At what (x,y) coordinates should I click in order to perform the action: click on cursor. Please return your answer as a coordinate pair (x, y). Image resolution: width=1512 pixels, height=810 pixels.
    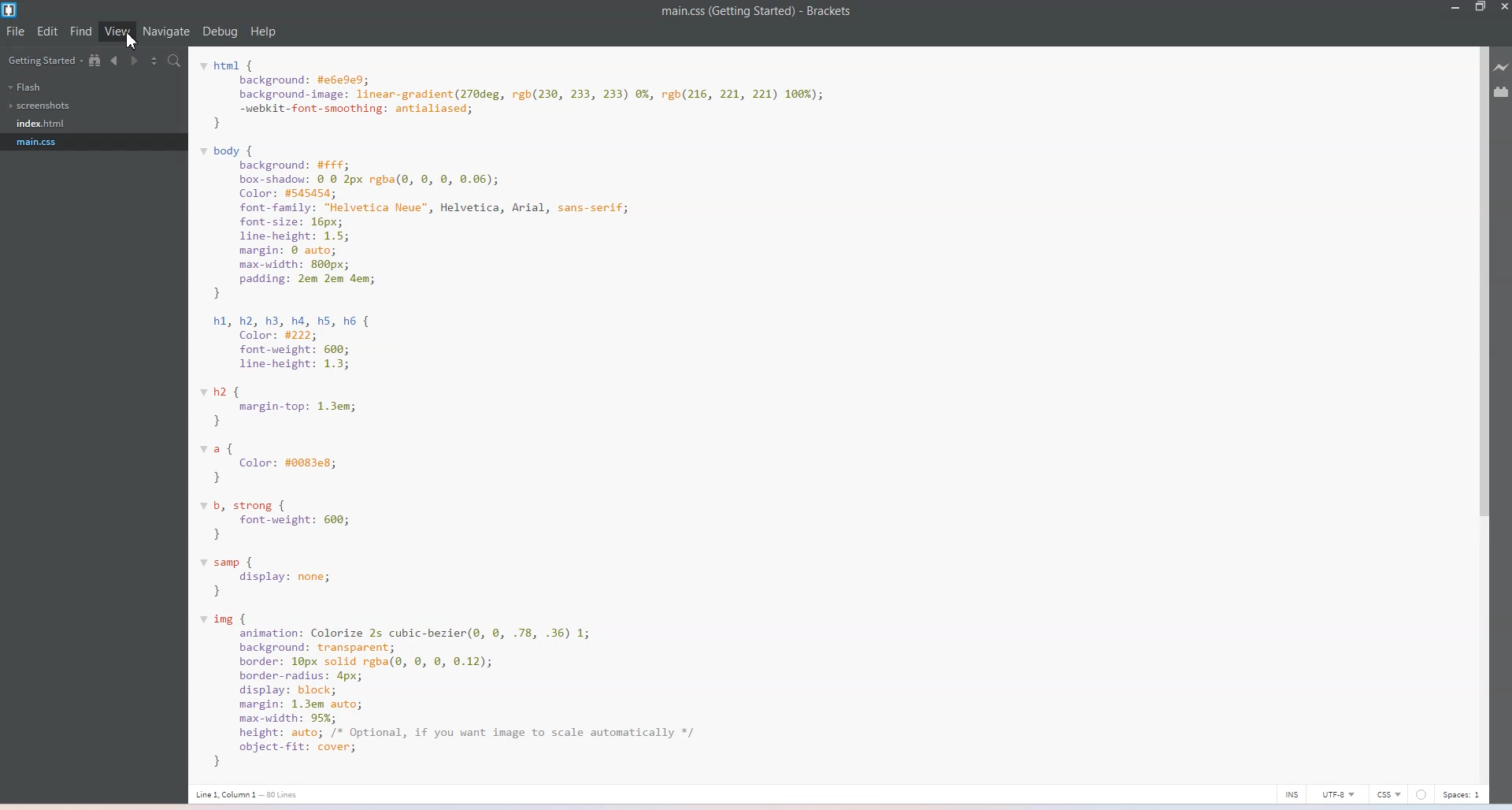
    Looking at the image, I should click on (128, 41).